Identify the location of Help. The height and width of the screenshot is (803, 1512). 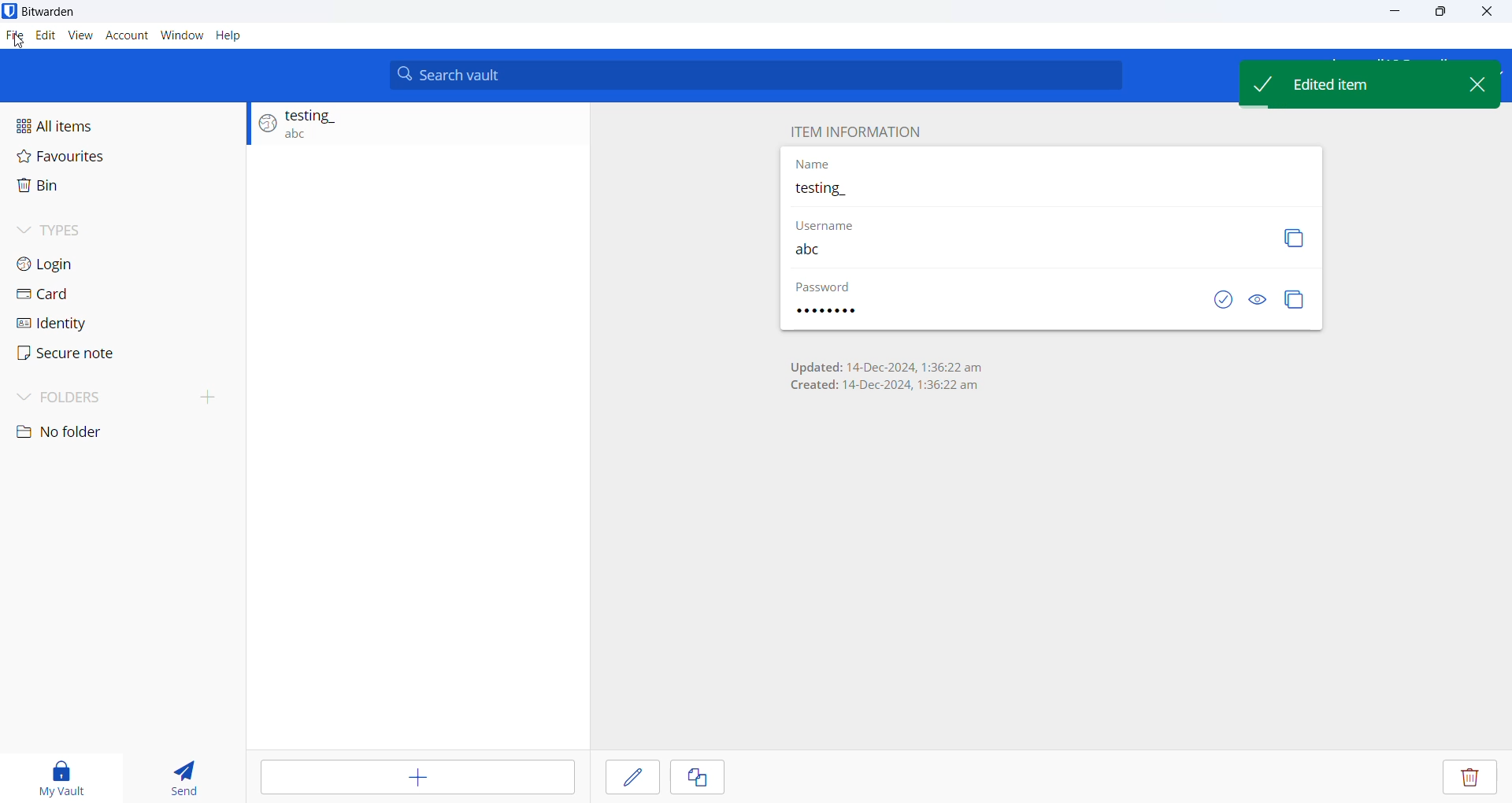
(229, 35).